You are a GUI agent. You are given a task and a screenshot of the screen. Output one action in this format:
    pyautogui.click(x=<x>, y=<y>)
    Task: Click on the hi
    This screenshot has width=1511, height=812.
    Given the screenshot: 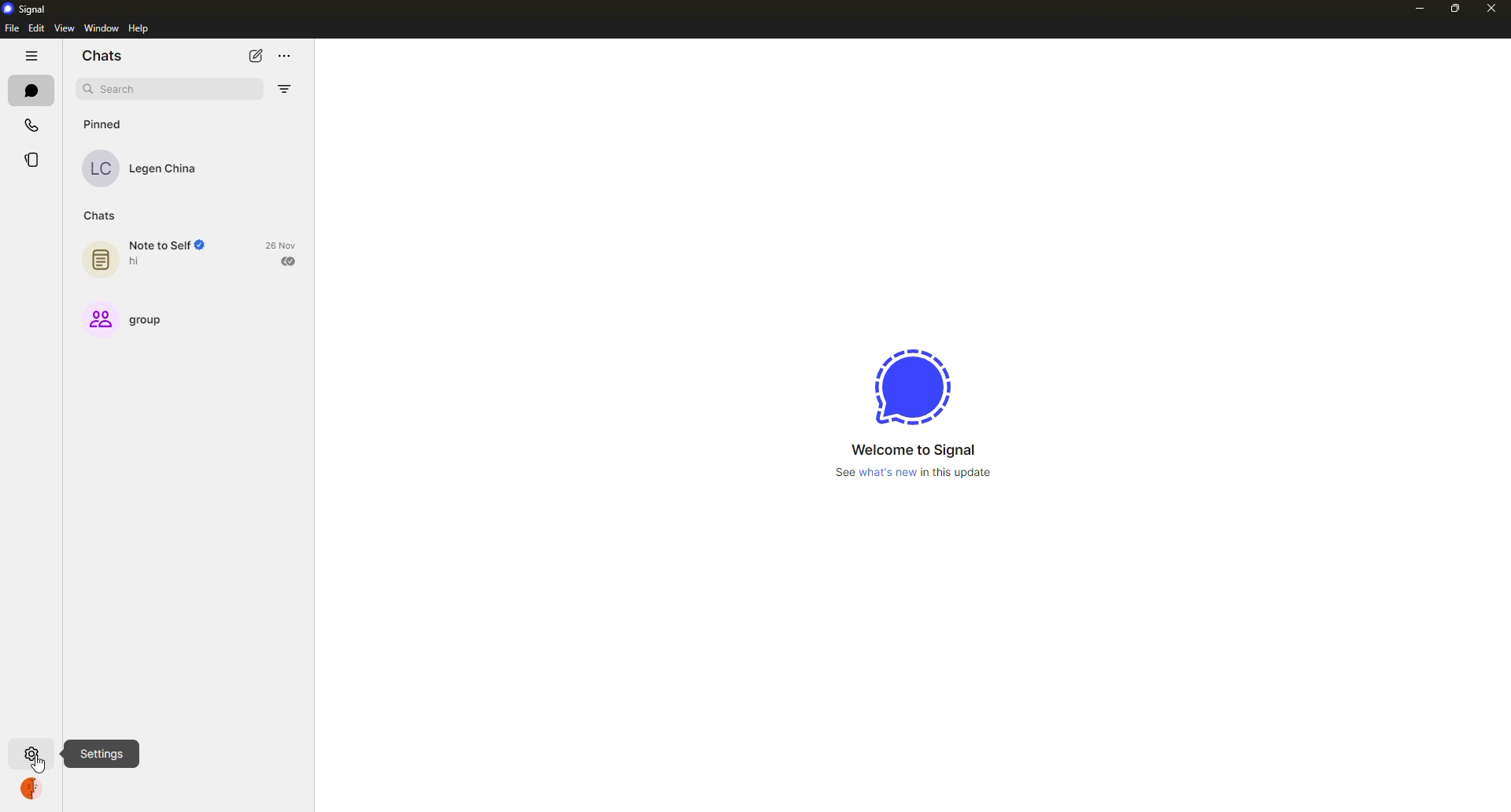 What is the action you would take?
    pyautogui.click(x=137, y=262)
    